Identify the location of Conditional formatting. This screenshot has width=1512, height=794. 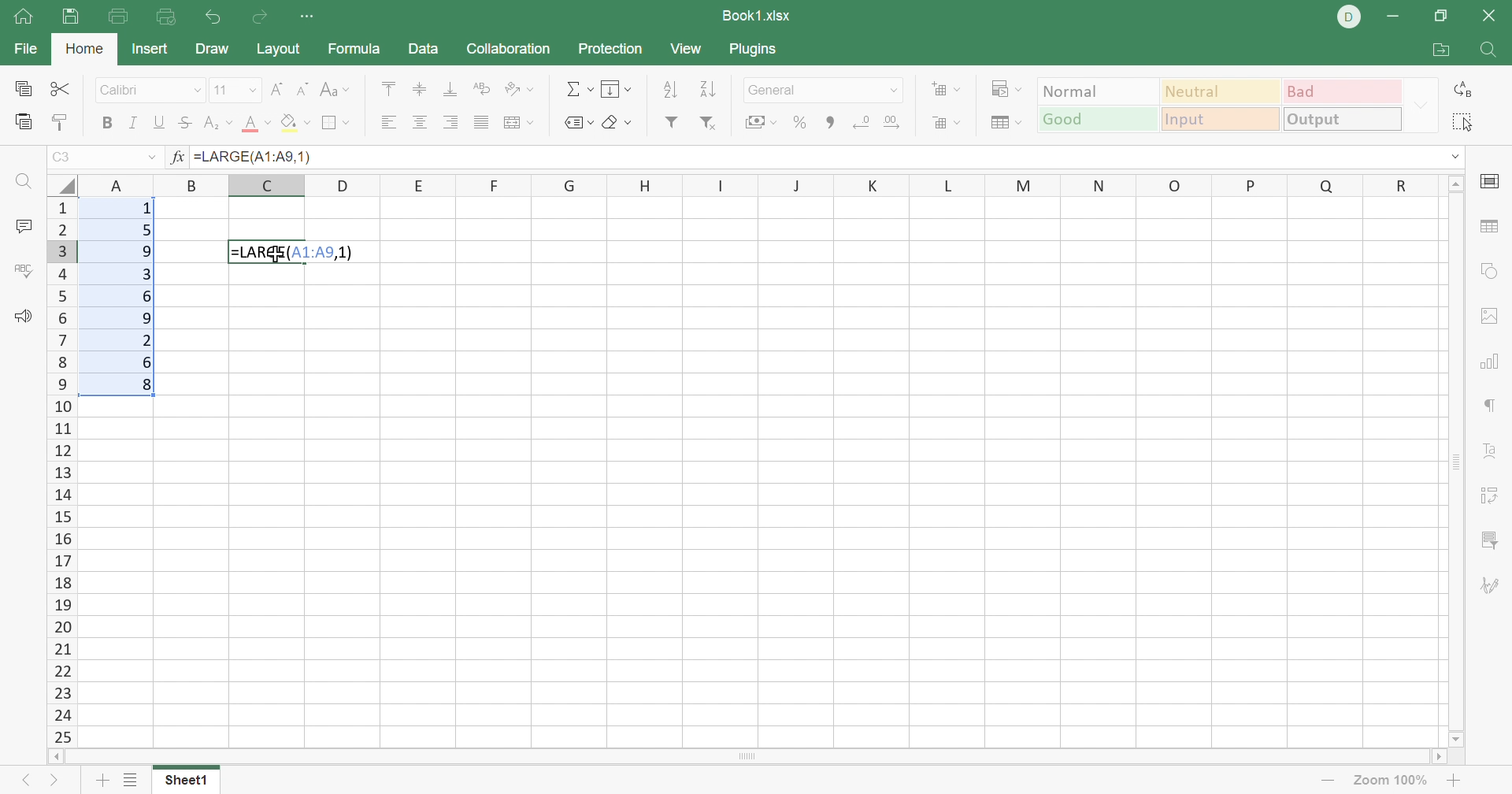
(1002, 89).